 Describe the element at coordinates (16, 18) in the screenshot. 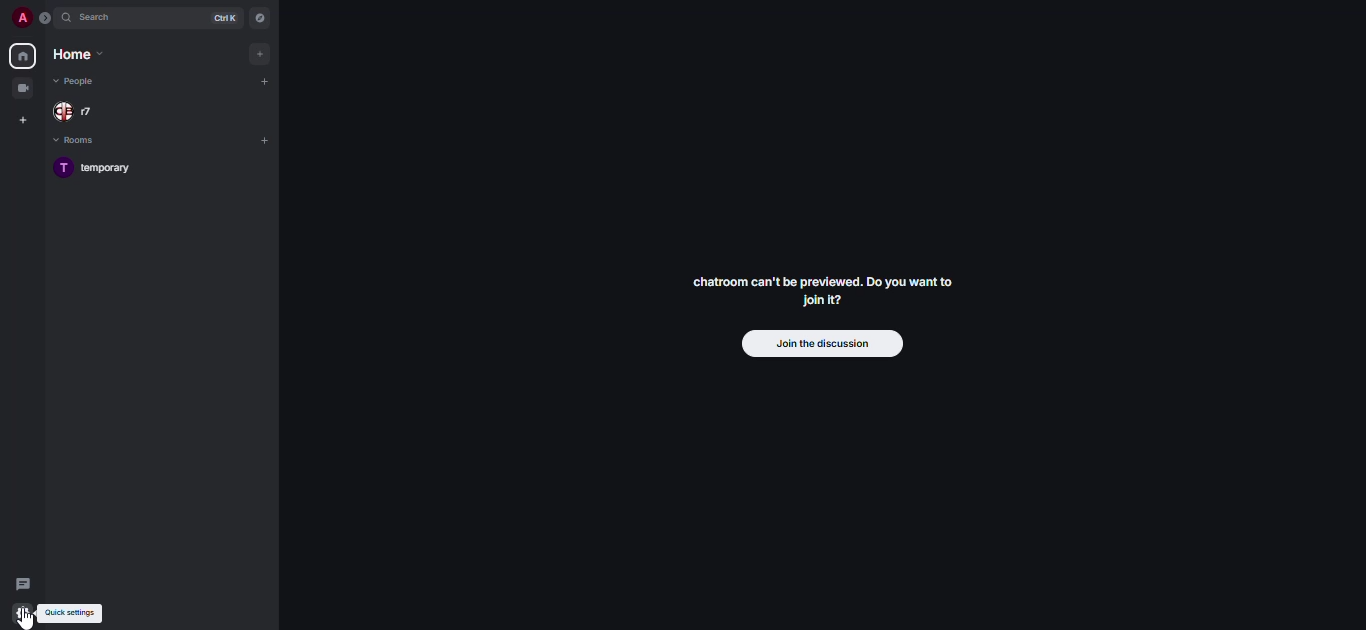

I see `profile` at that location.